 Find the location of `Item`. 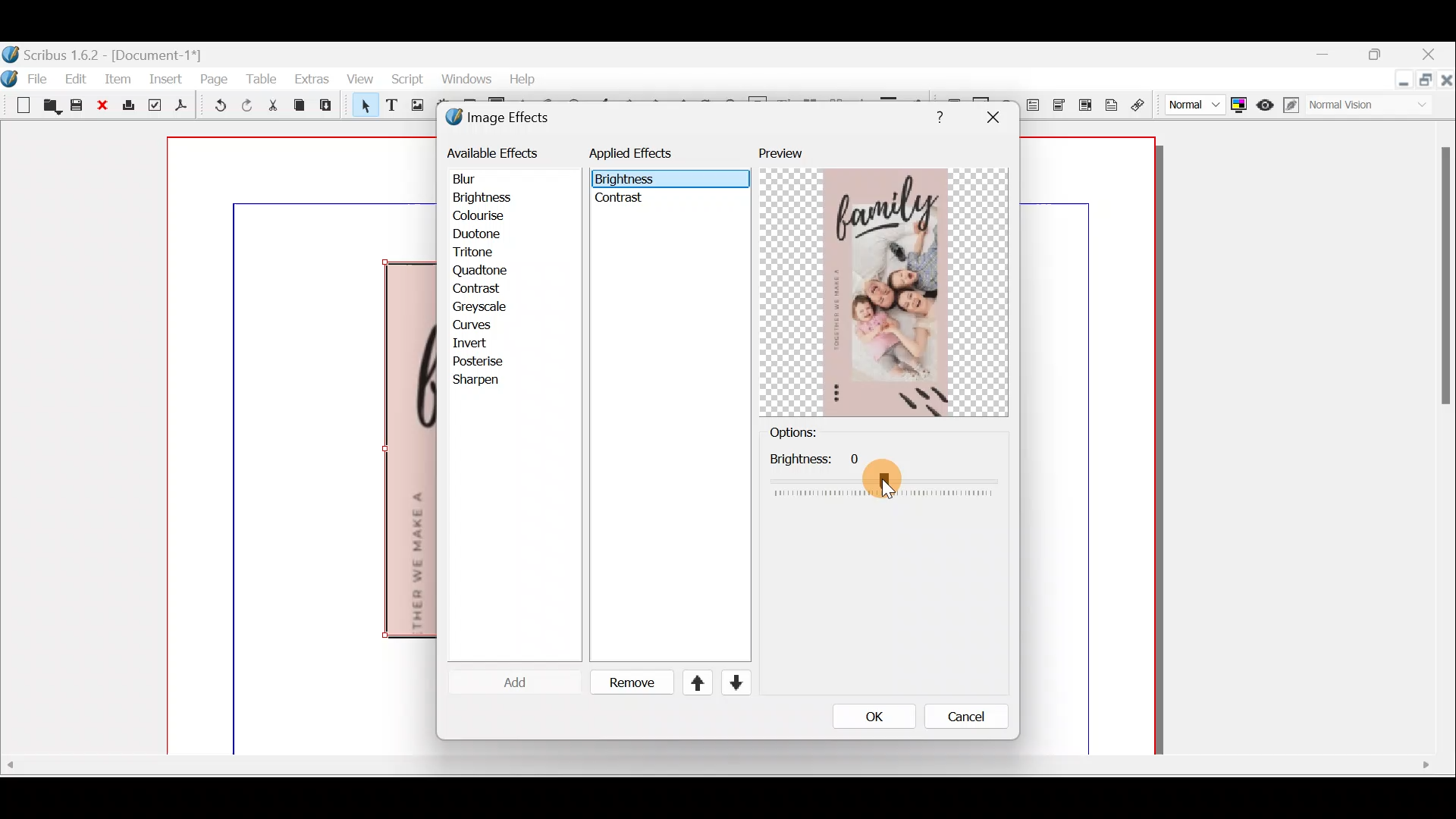

Item is located at coordinates (115, 80).